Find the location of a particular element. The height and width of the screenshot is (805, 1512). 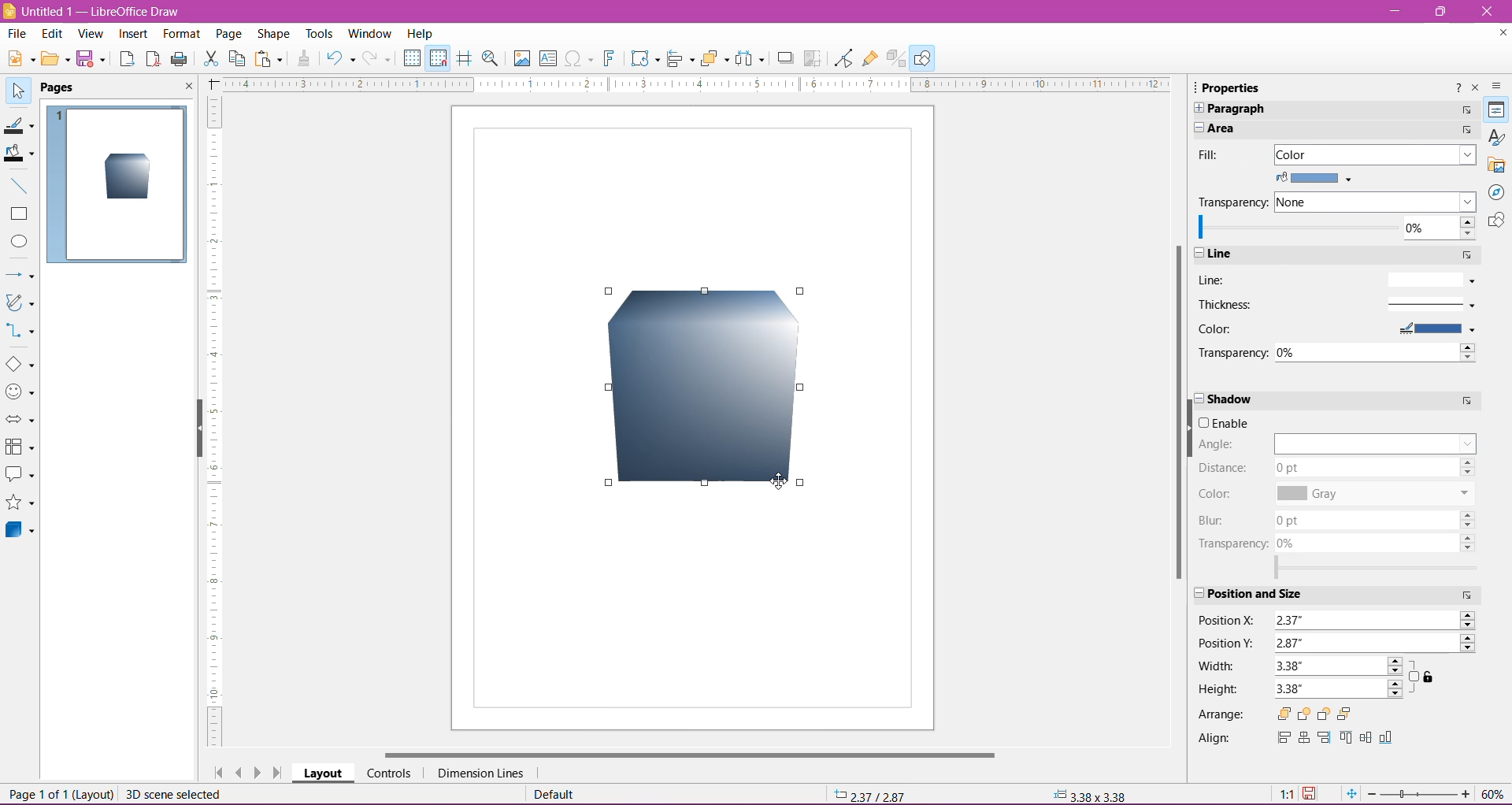

Paragraph is located at coordinates (1325, 108).